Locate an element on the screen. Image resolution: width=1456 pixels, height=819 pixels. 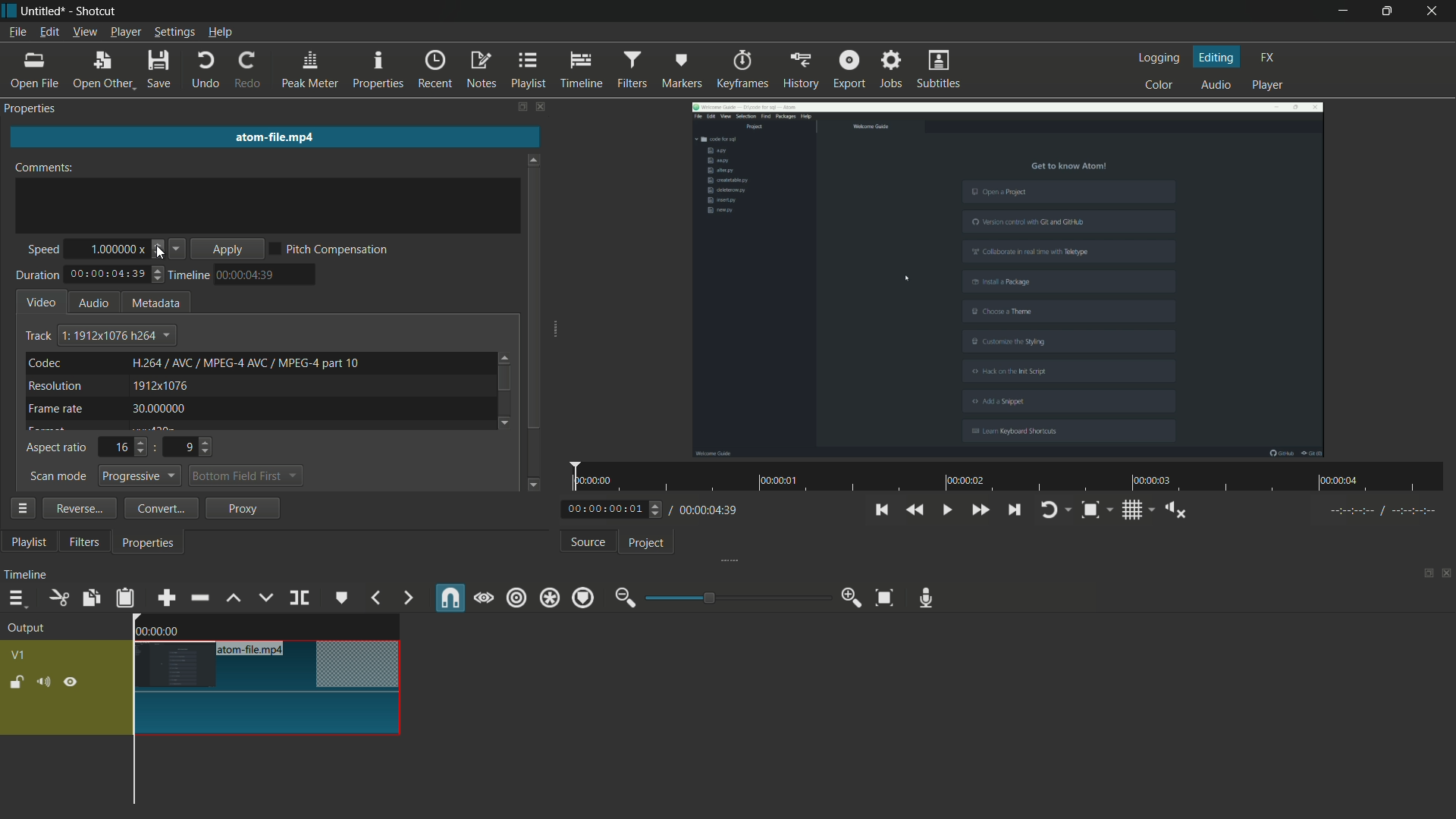
history is located at coordinates (801, 70).